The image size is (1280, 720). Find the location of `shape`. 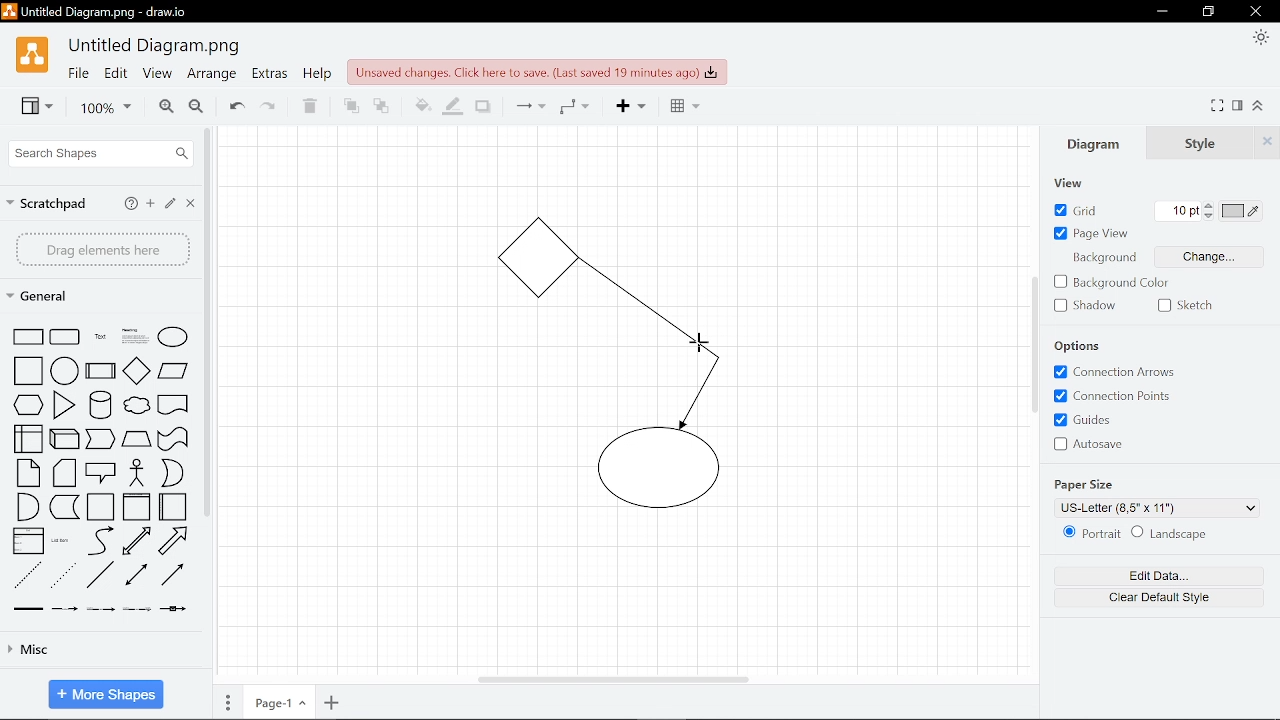

shape is located at coordinates (29, 406).